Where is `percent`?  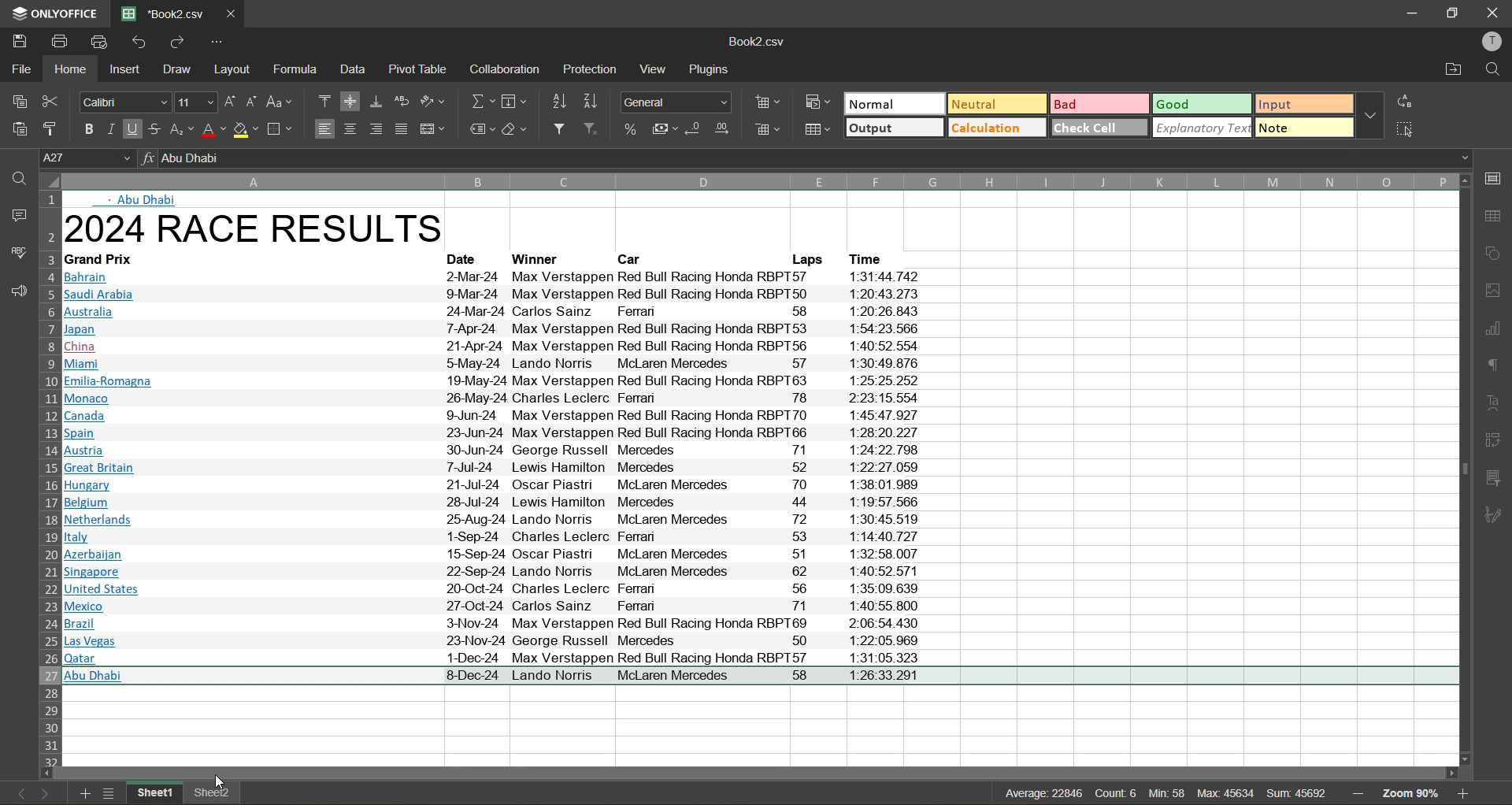
percent is located at coordinates (632, 129).